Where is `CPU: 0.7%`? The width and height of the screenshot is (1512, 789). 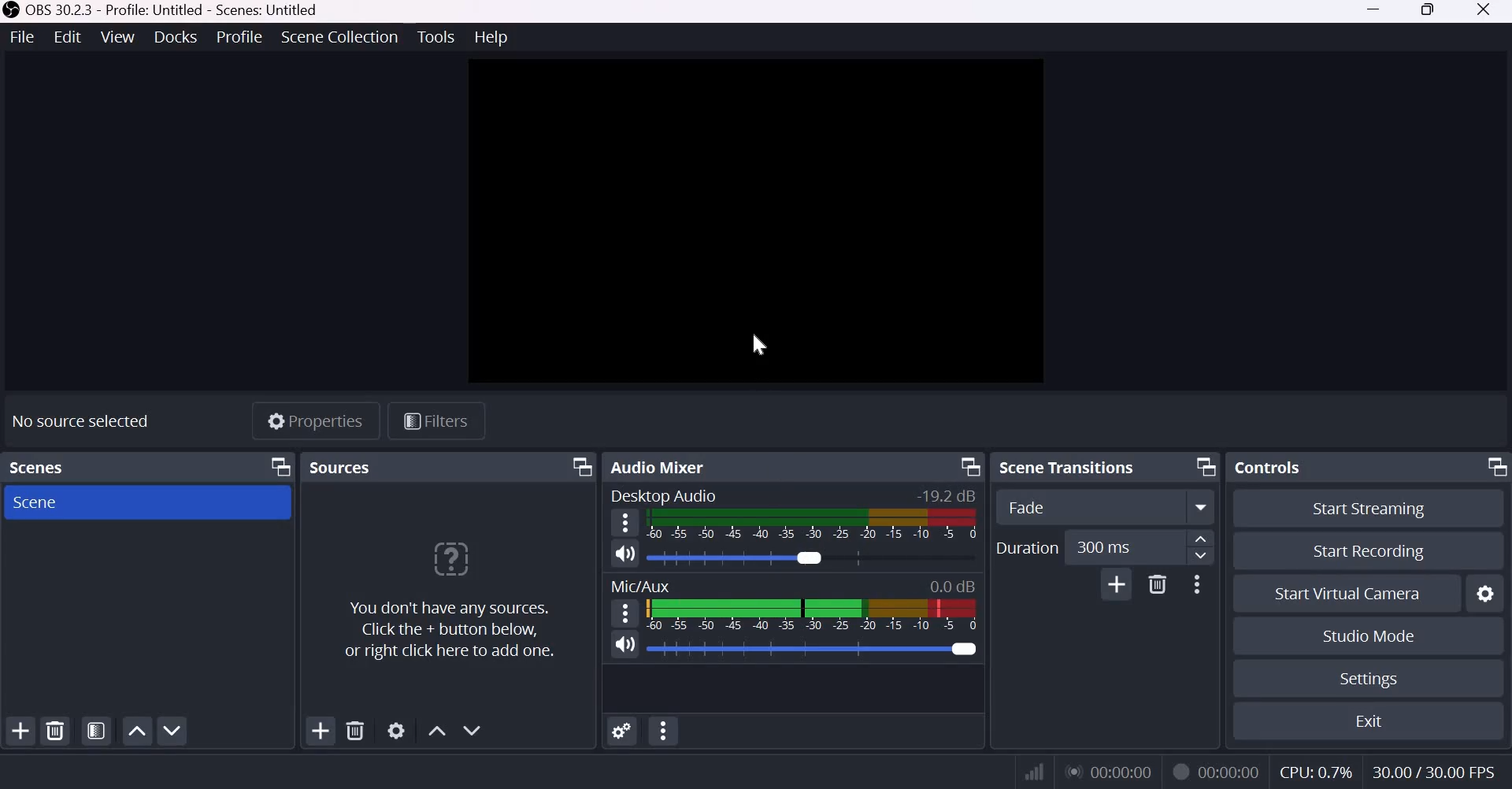 CPU: 0.7% is located at coordinates (1316, 771).